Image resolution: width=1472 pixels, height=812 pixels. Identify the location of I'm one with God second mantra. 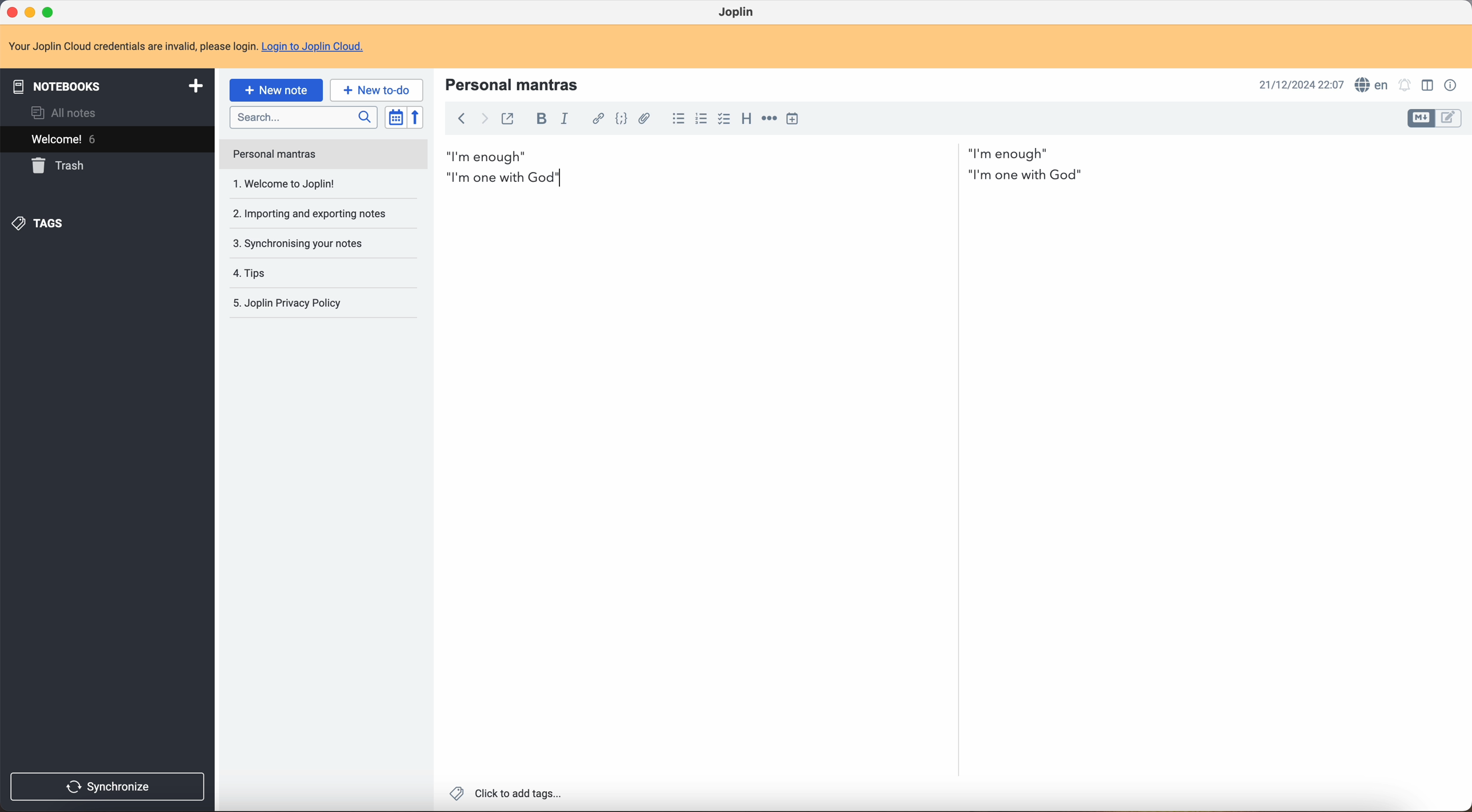
(769, 178).